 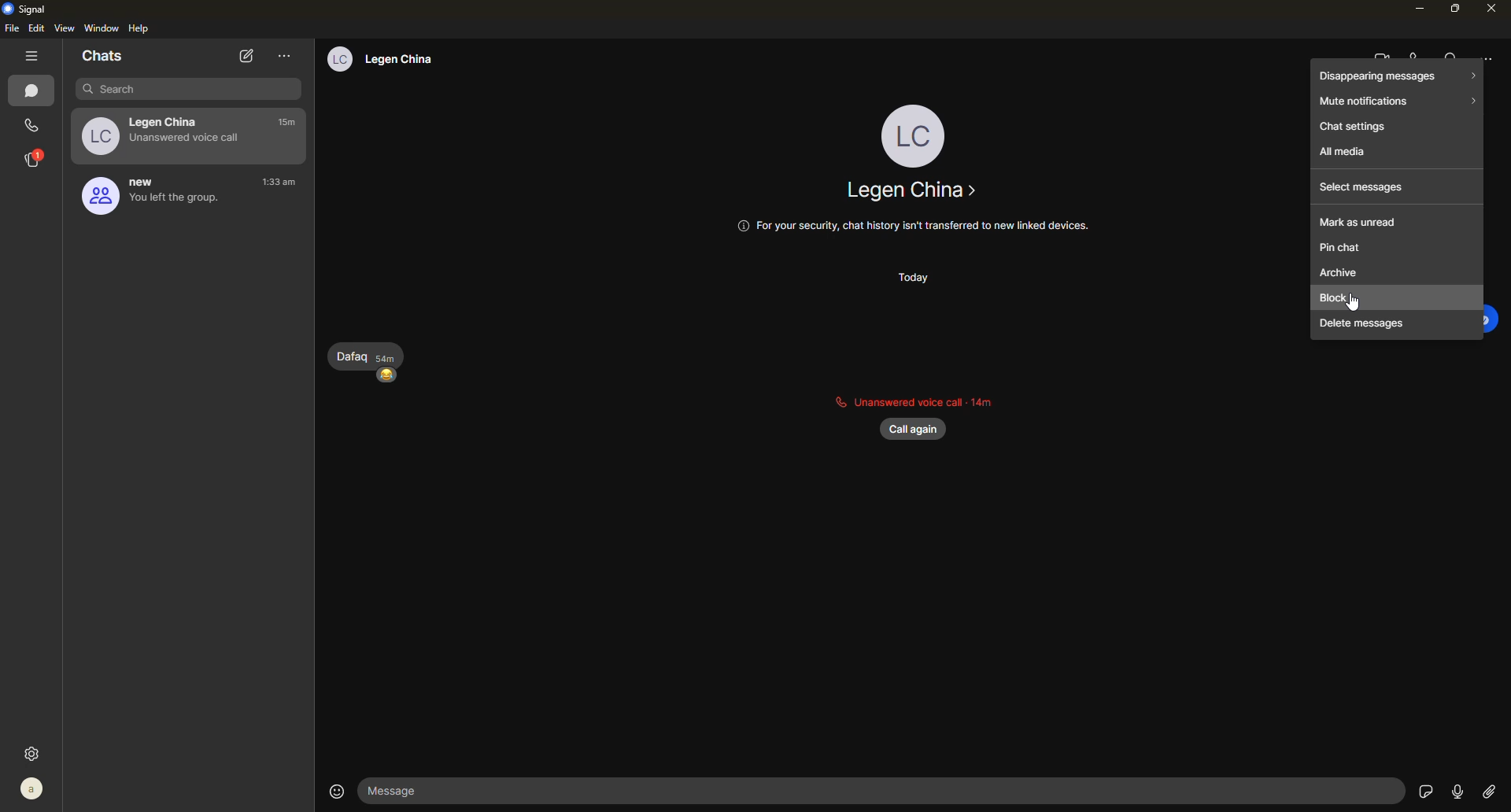 What do you see at coordinates (1494, 789) in the screenshot?
I see `Link` at bounding box center [1494, 789].